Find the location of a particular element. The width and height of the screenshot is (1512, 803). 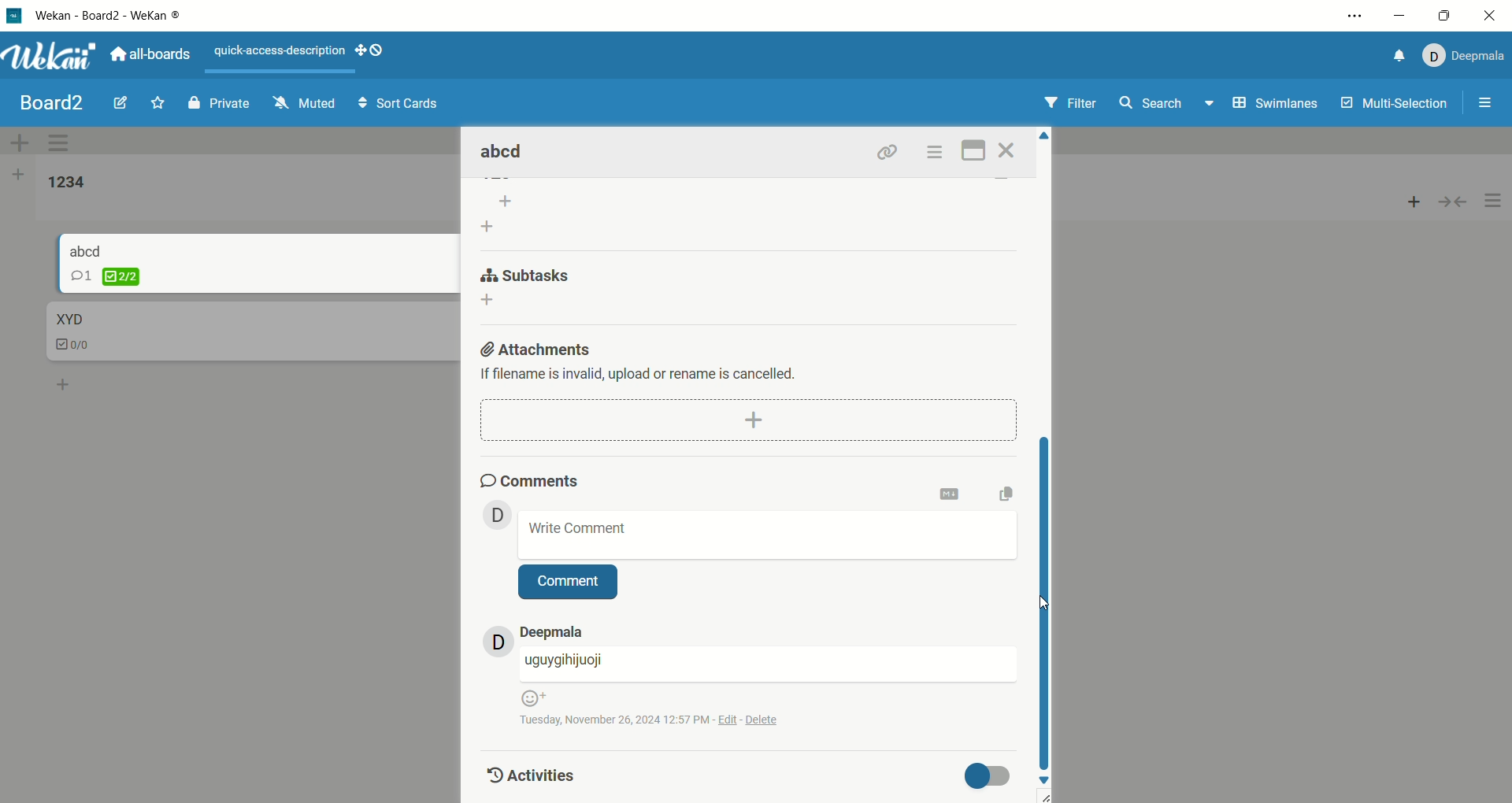

copy is located at coordinates (1012, 493).